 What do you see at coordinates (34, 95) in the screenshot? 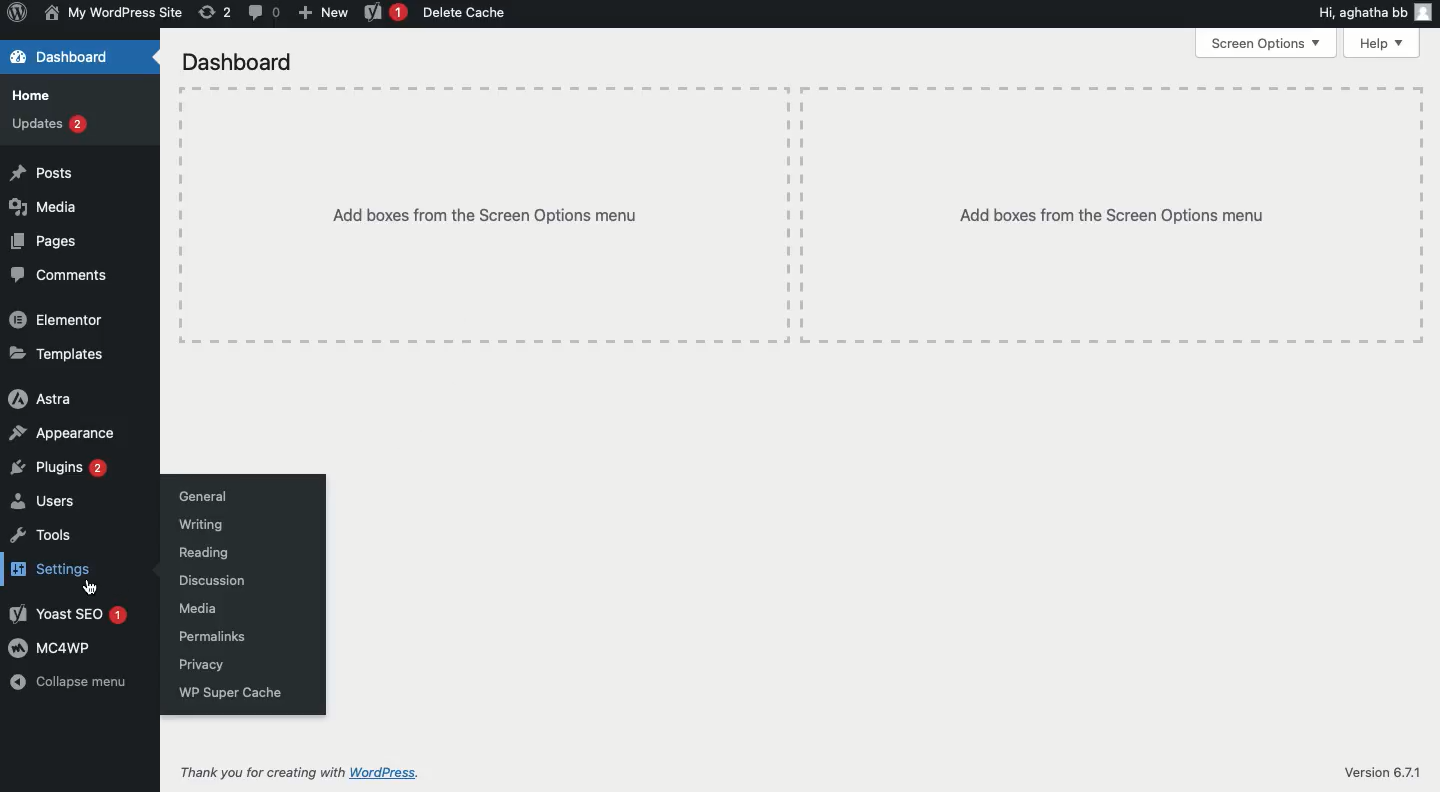
I see `Home` at bounding box center [34, 95].